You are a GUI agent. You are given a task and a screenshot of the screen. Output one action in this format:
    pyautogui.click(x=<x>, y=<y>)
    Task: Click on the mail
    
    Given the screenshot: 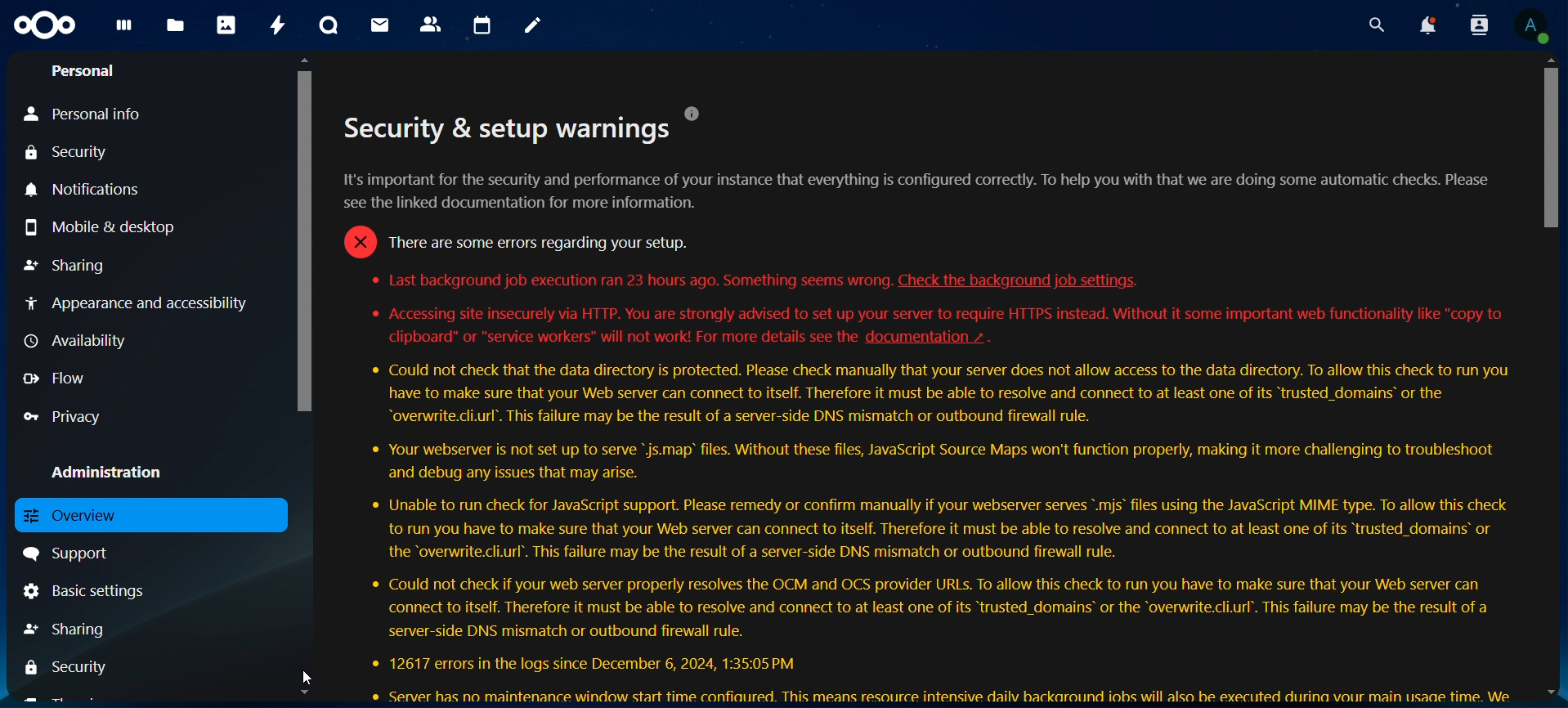 What is the action you would take?
    pyautogui.click(x=380, y=25)
    